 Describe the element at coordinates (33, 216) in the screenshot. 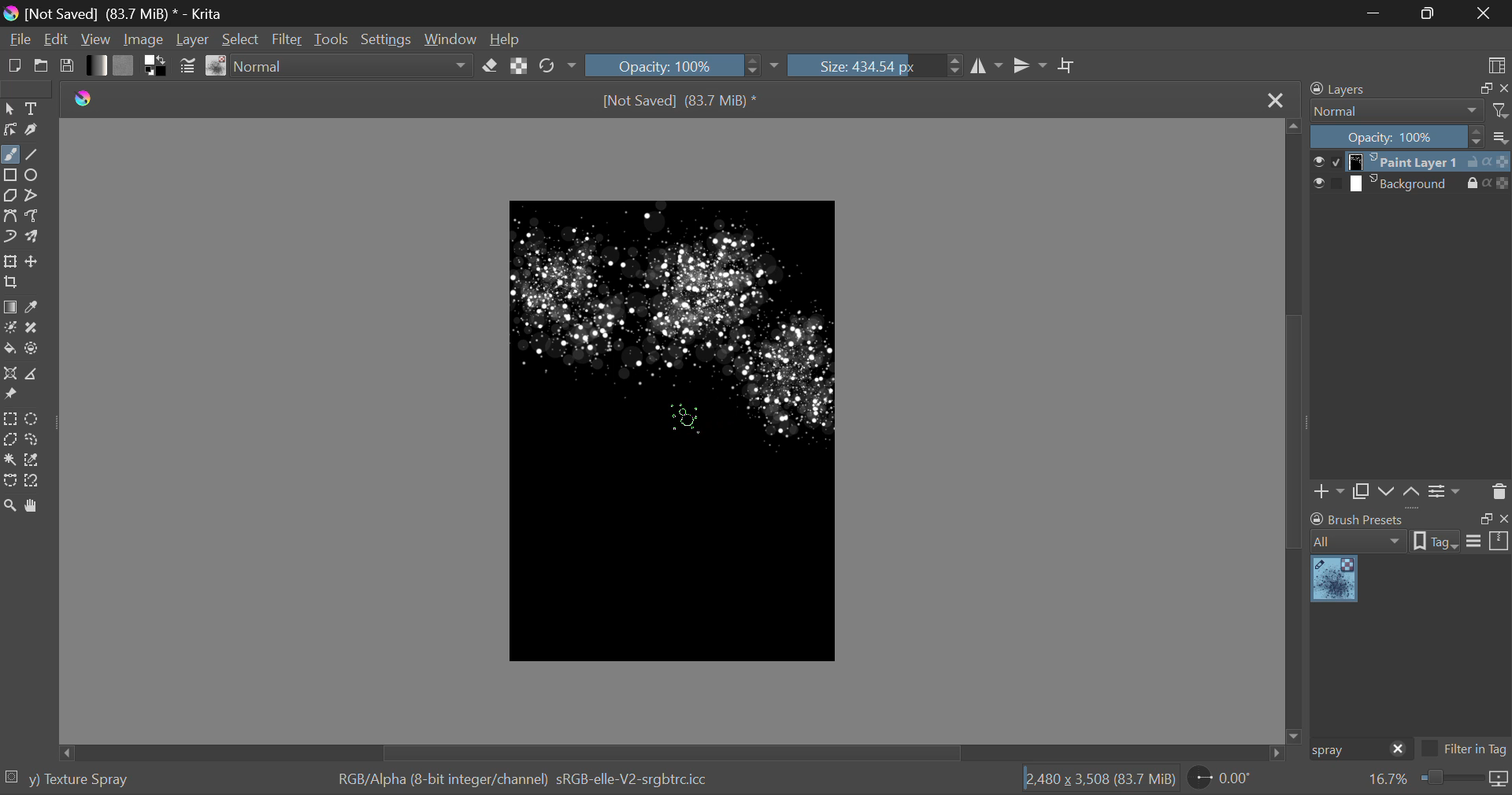

I see `Freehand Path Tool` at that location.